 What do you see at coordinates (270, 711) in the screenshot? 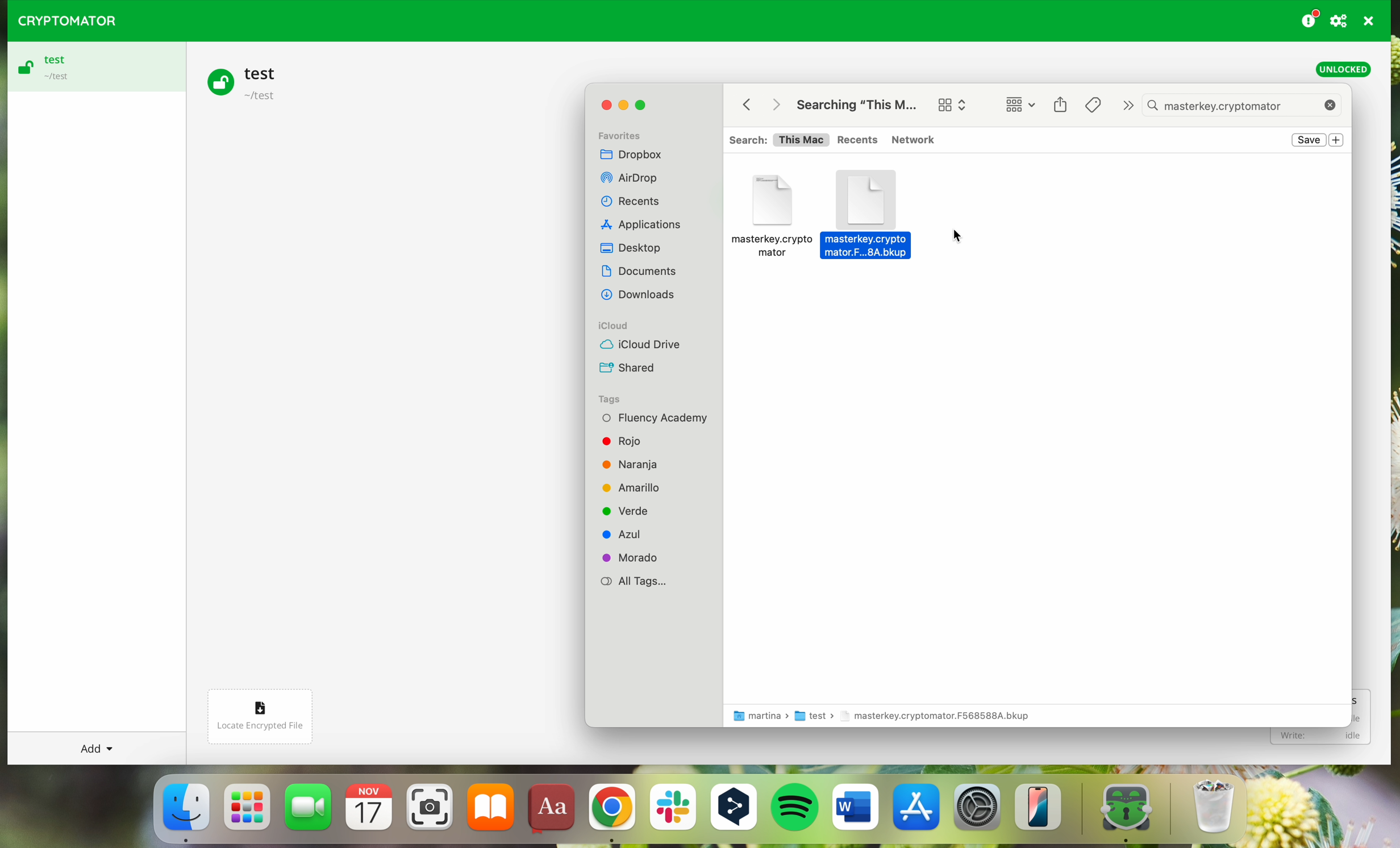
I see `locate encrypted file button` at bounding box center [270, 711].